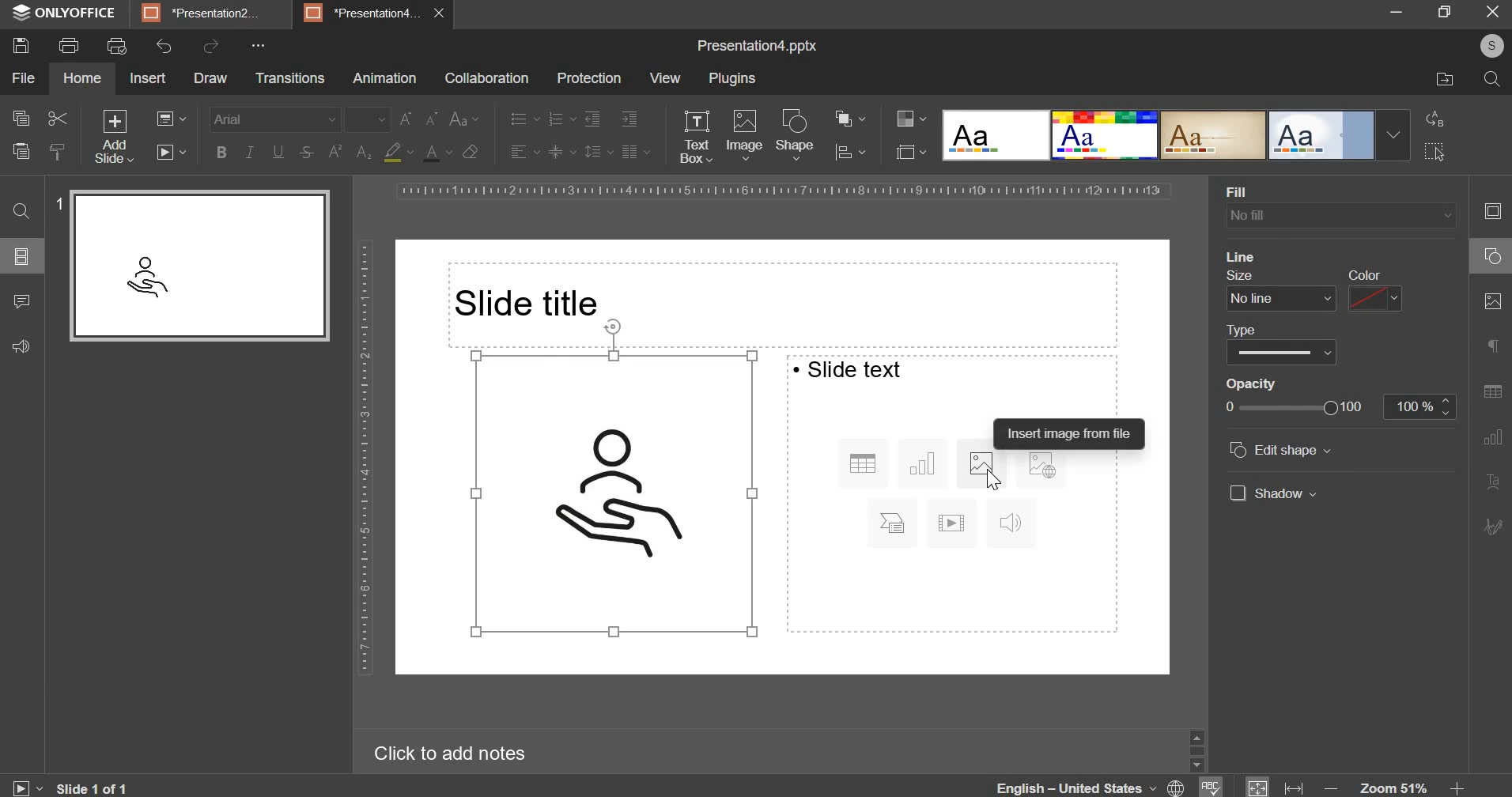  What do you see at coordinates (592, 151) in the screenshot?
I see `line spacing` at bounding box center [592, 151].